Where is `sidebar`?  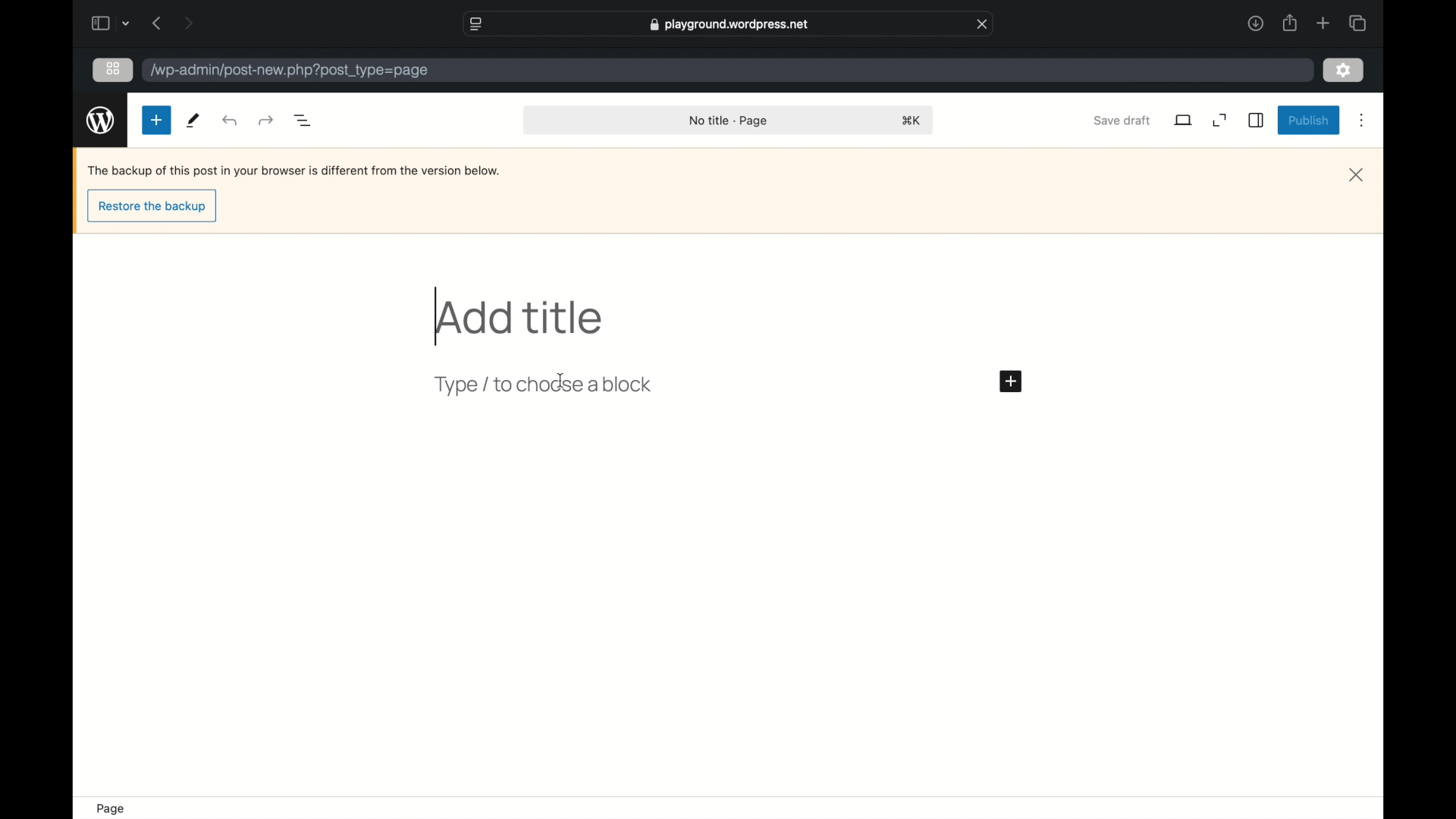
sidebar is located at coordinates (1257, 121).